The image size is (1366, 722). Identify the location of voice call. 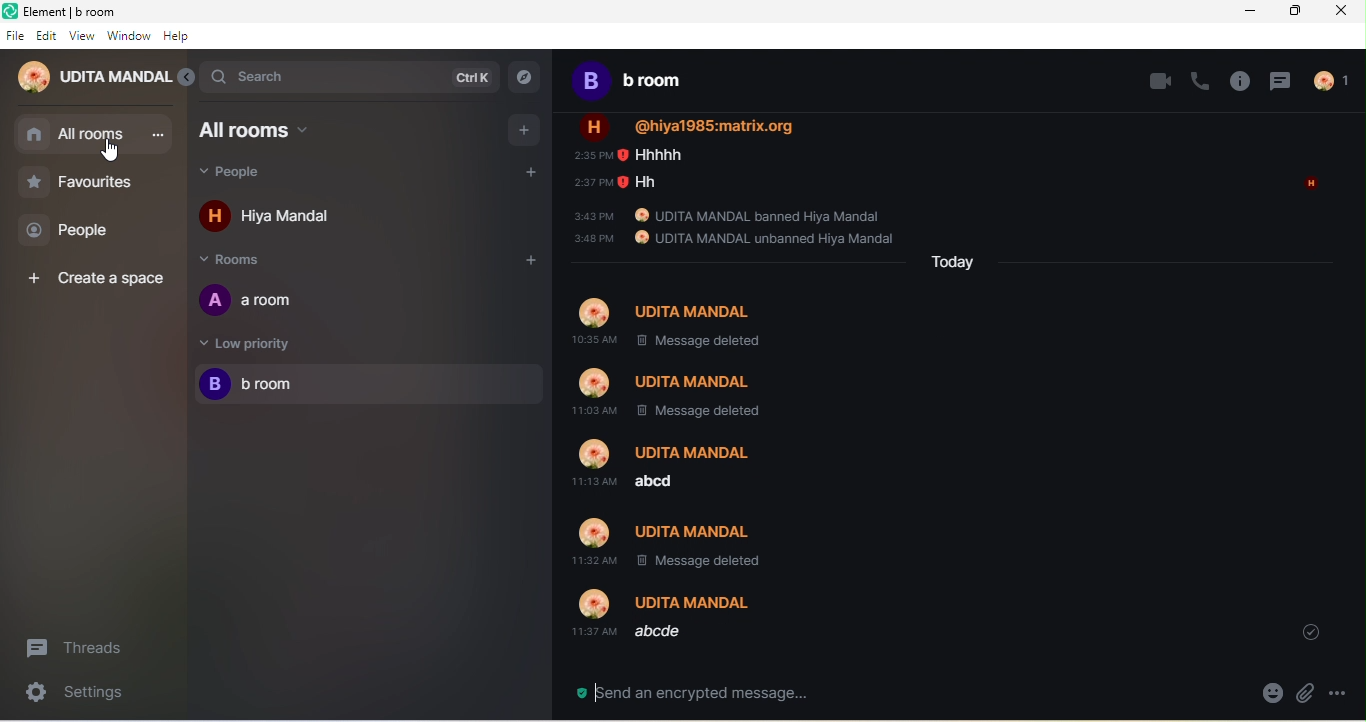
(1195, 79).